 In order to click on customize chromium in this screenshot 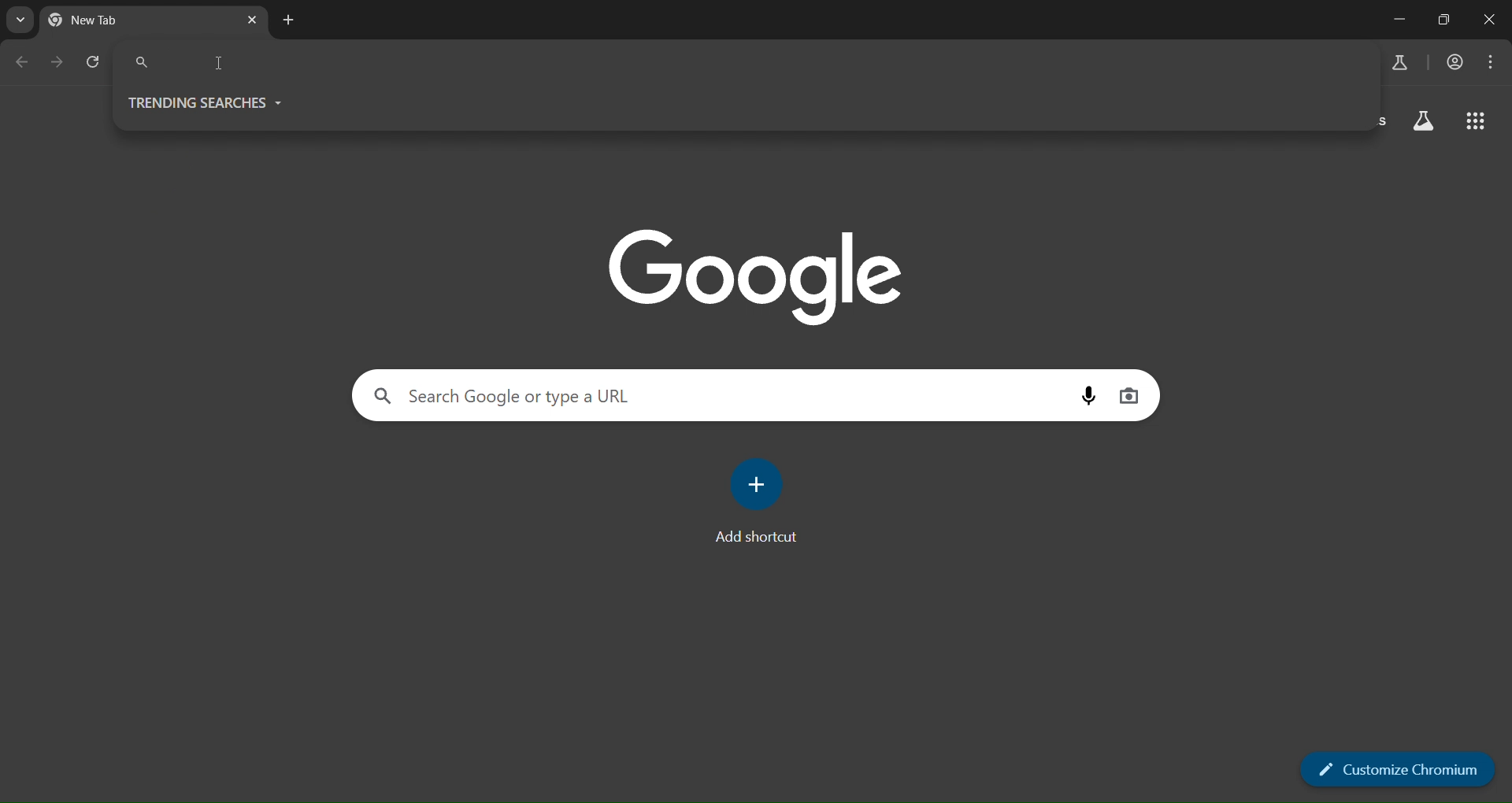, I will do `click(1392, 770)`.